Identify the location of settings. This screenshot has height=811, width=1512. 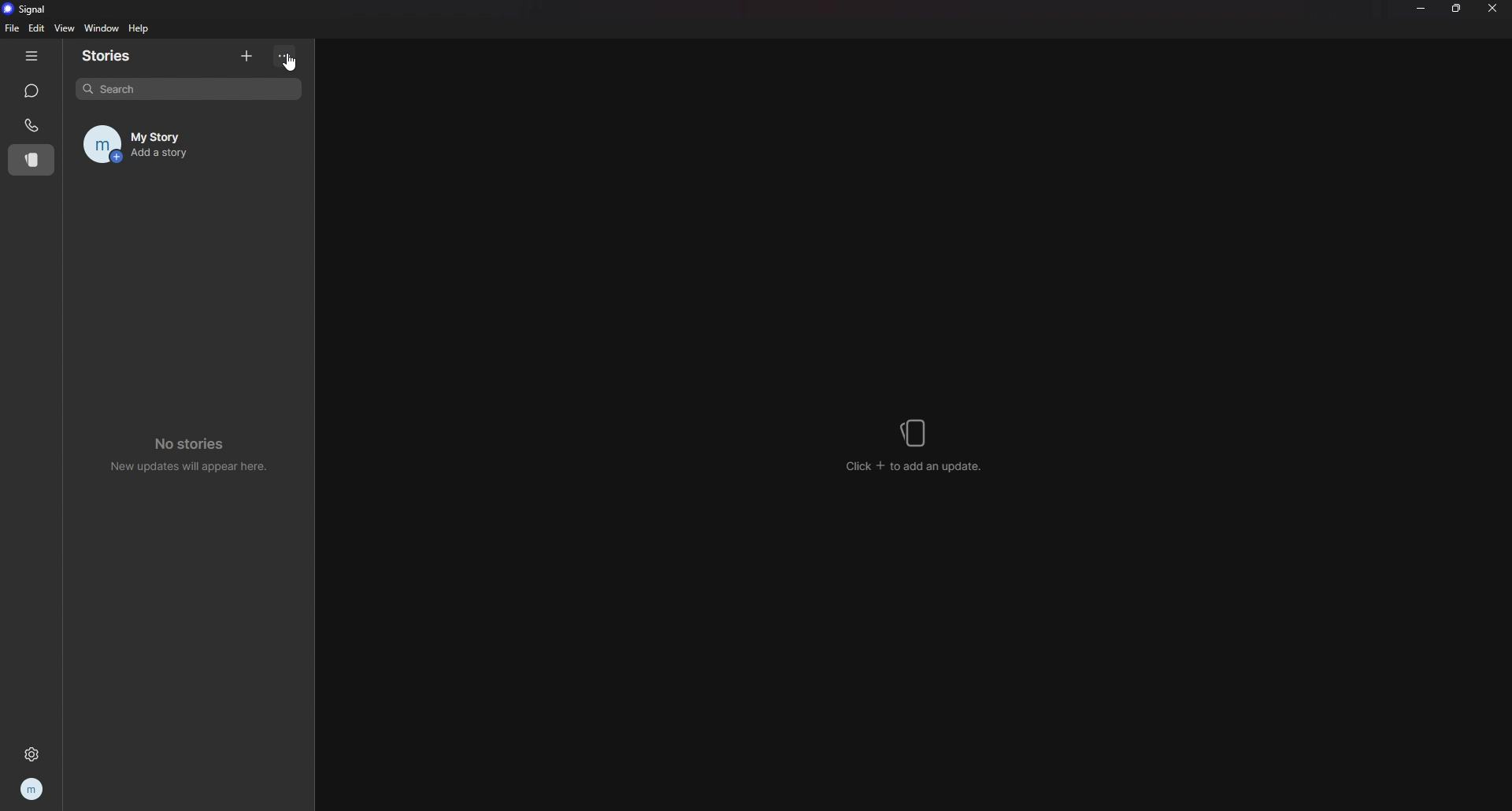
(31, 754).